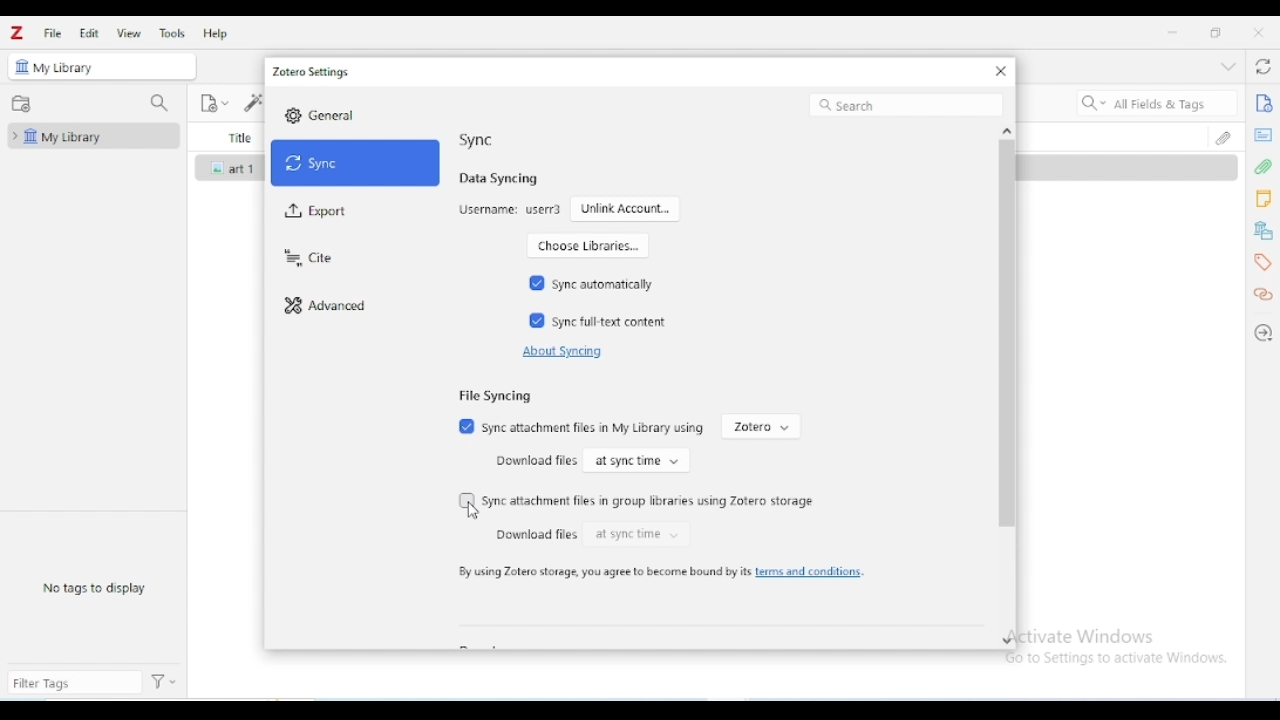  Describe the element at coordinates (317, 212) in the screenshot. I see `export` at that location.